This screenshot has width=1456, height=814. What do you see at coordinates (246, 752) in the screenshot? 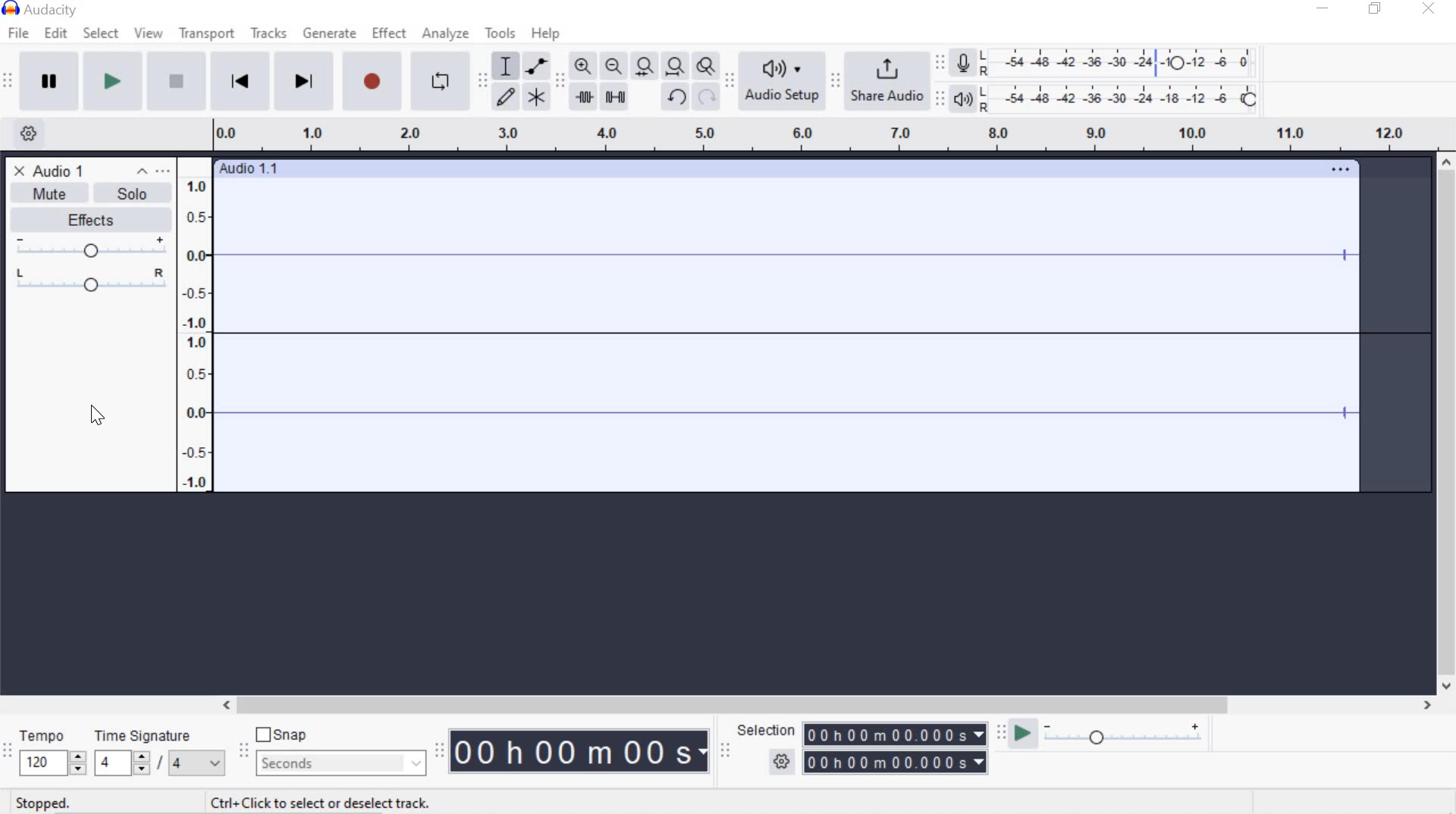
I see `Snapping Toolbar` at bounding box center [246, 752].